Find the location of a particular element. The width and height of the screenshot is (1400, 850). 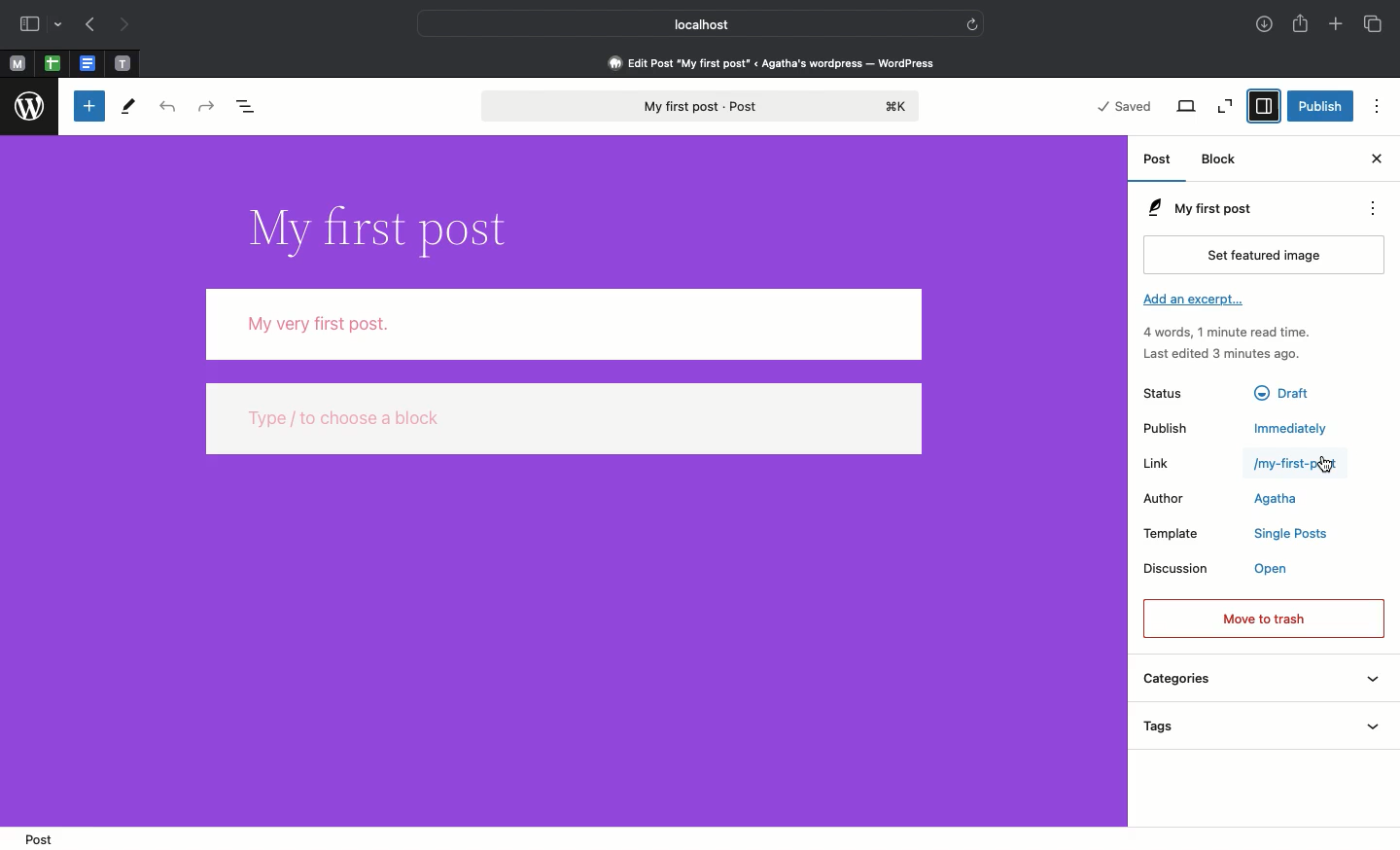

Title is located at coordinates (389, 230).